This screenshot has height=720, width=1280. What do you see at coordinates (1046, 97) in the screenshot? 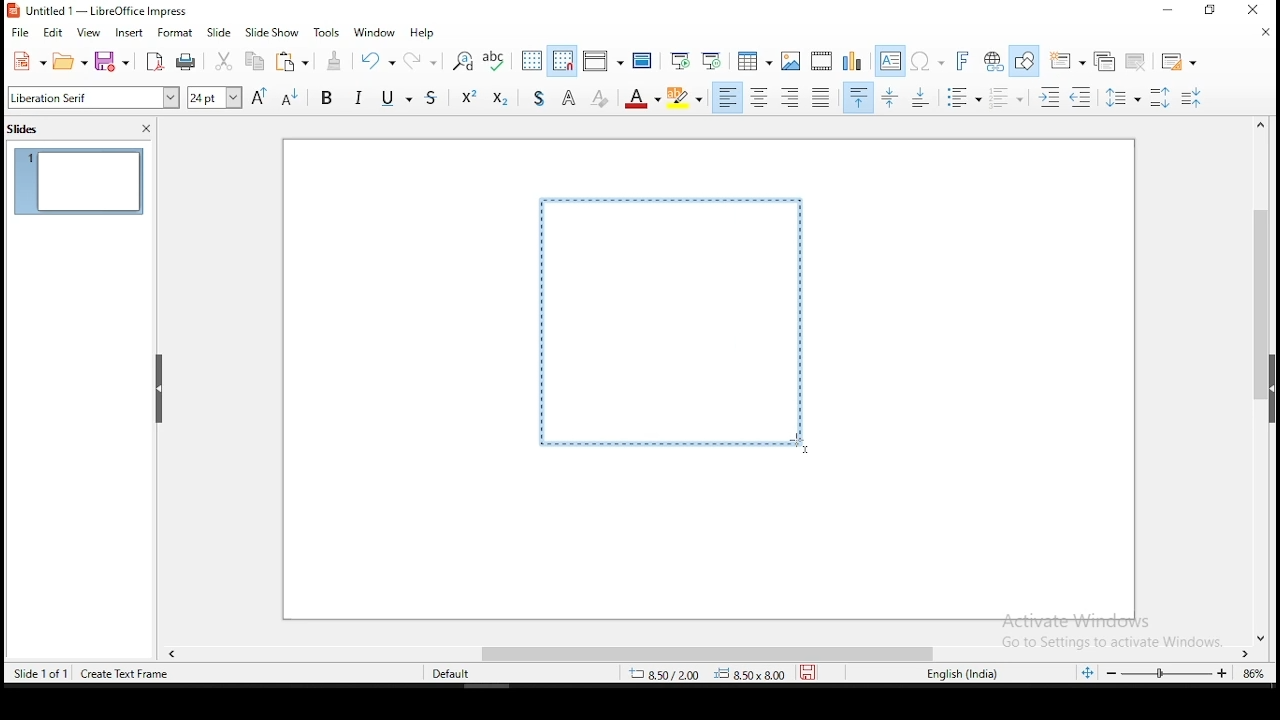
I see `increase indent` at bounding box center [1046, 97].